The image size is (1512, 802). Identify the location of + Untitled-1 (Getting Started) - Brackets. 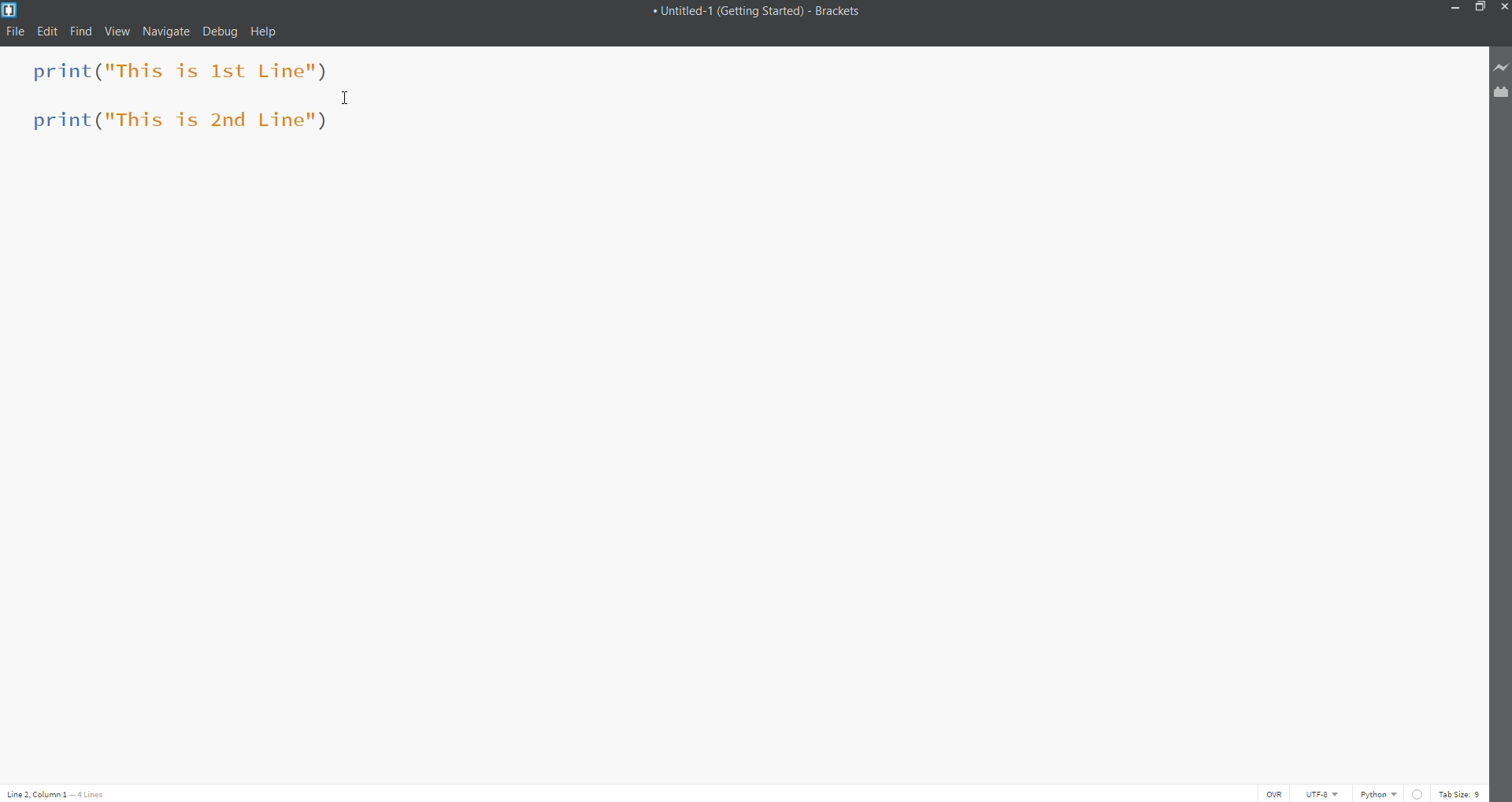
(772, 15).